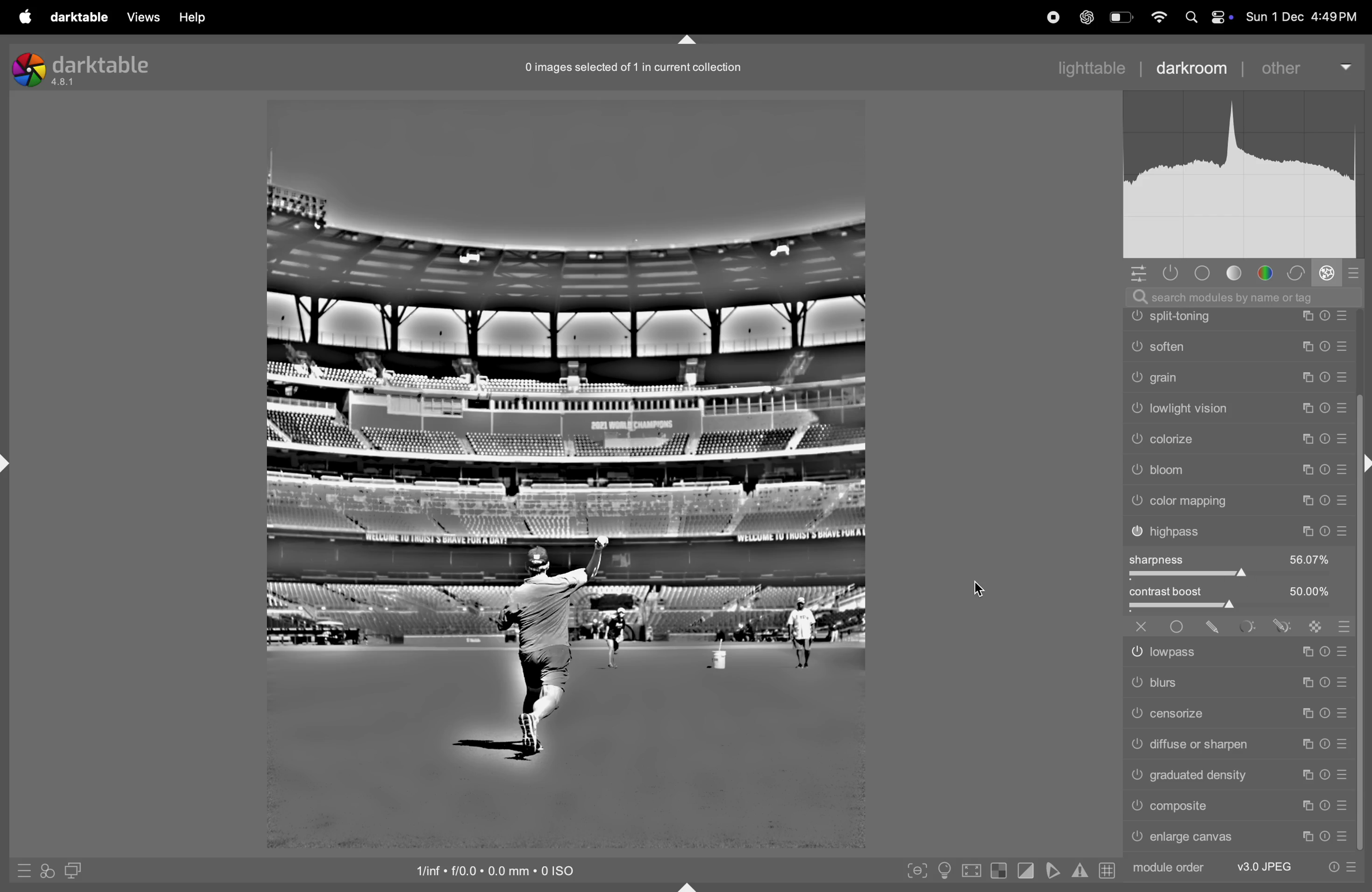 This screenshot has width=1372, height=892. Describe the element at coordinates (20, 871) in the screenshot. I see `quick acess presets` at that location.